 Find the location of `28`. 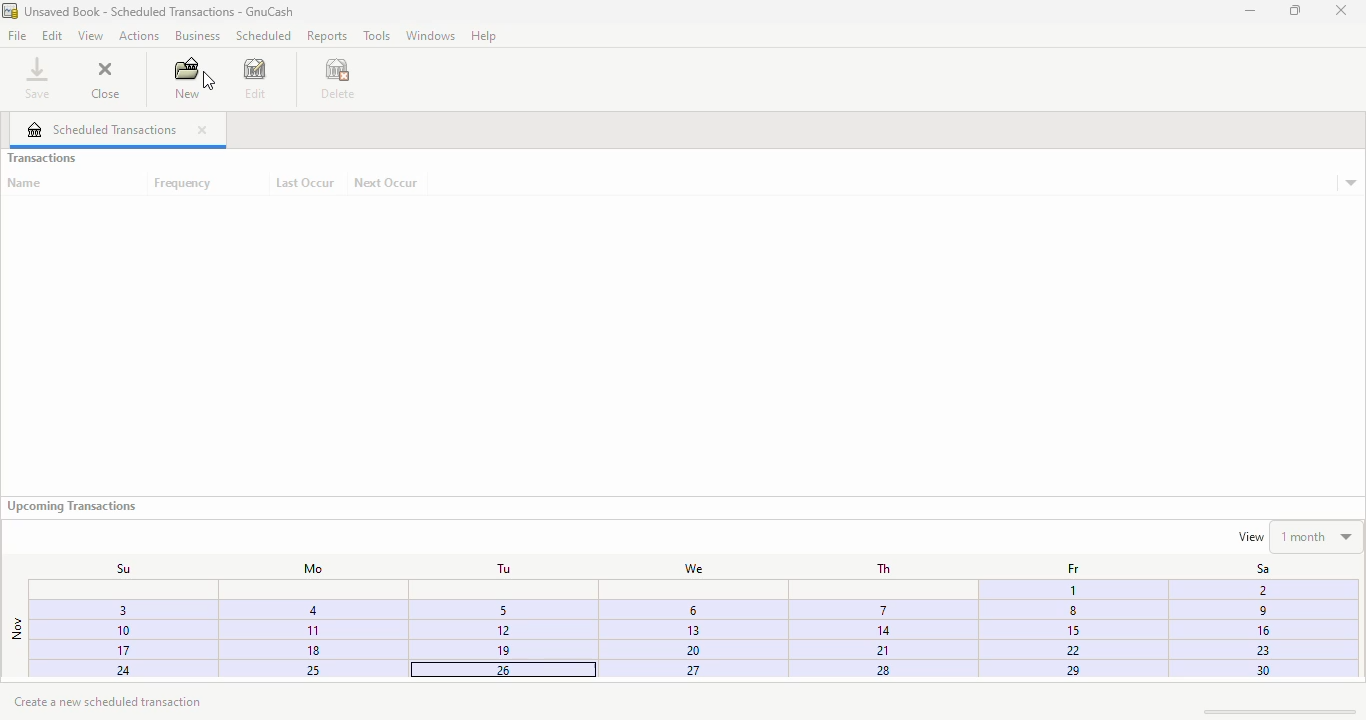

28 is located at coordinates (886, 673).